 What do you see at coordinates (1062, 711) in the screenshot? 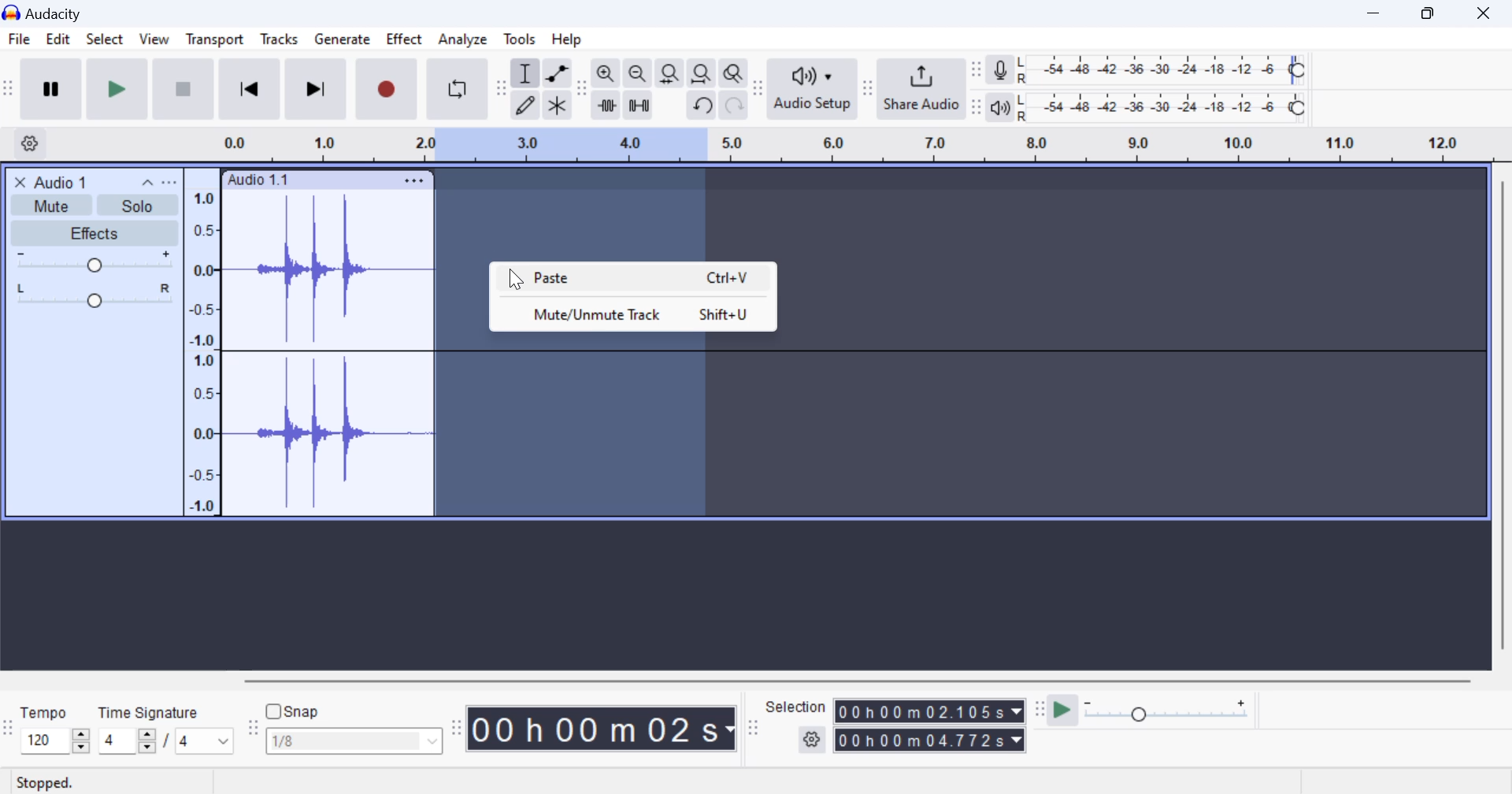
I see `play at speed` at bounding box center [1062, 711].